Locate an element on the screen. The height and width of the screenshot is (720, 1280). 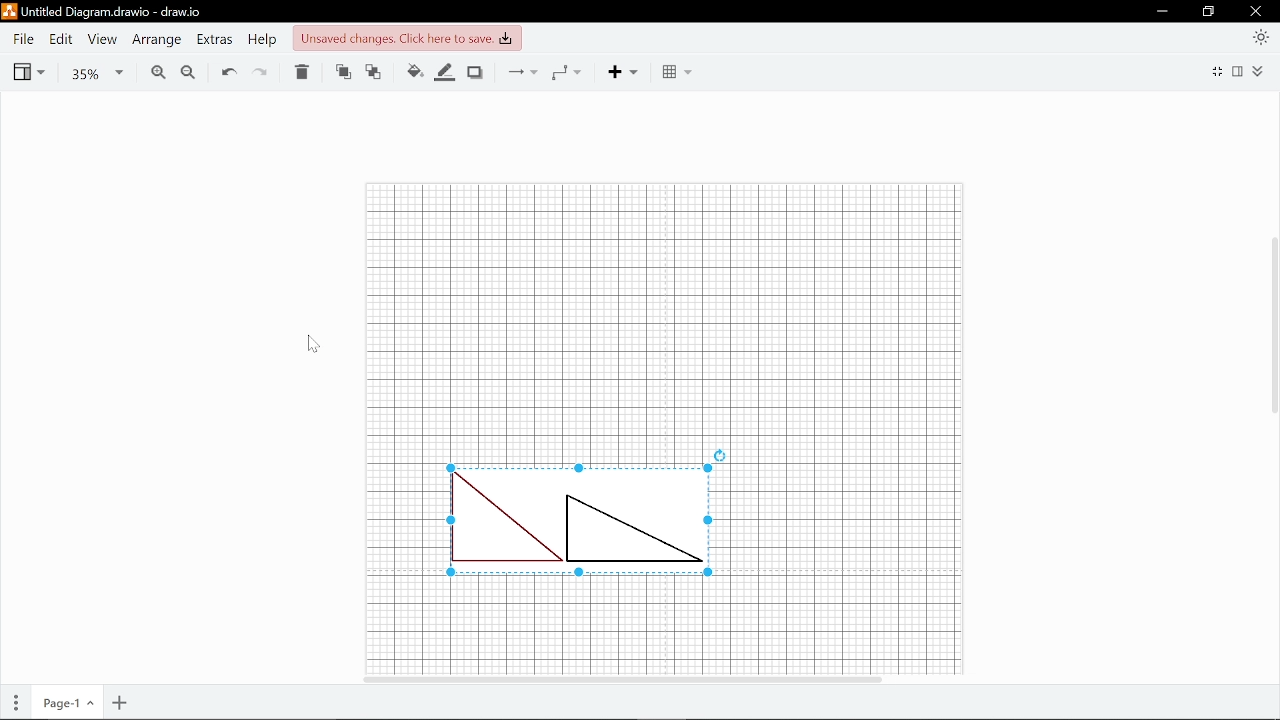
View is located at coordinates (103, 39).